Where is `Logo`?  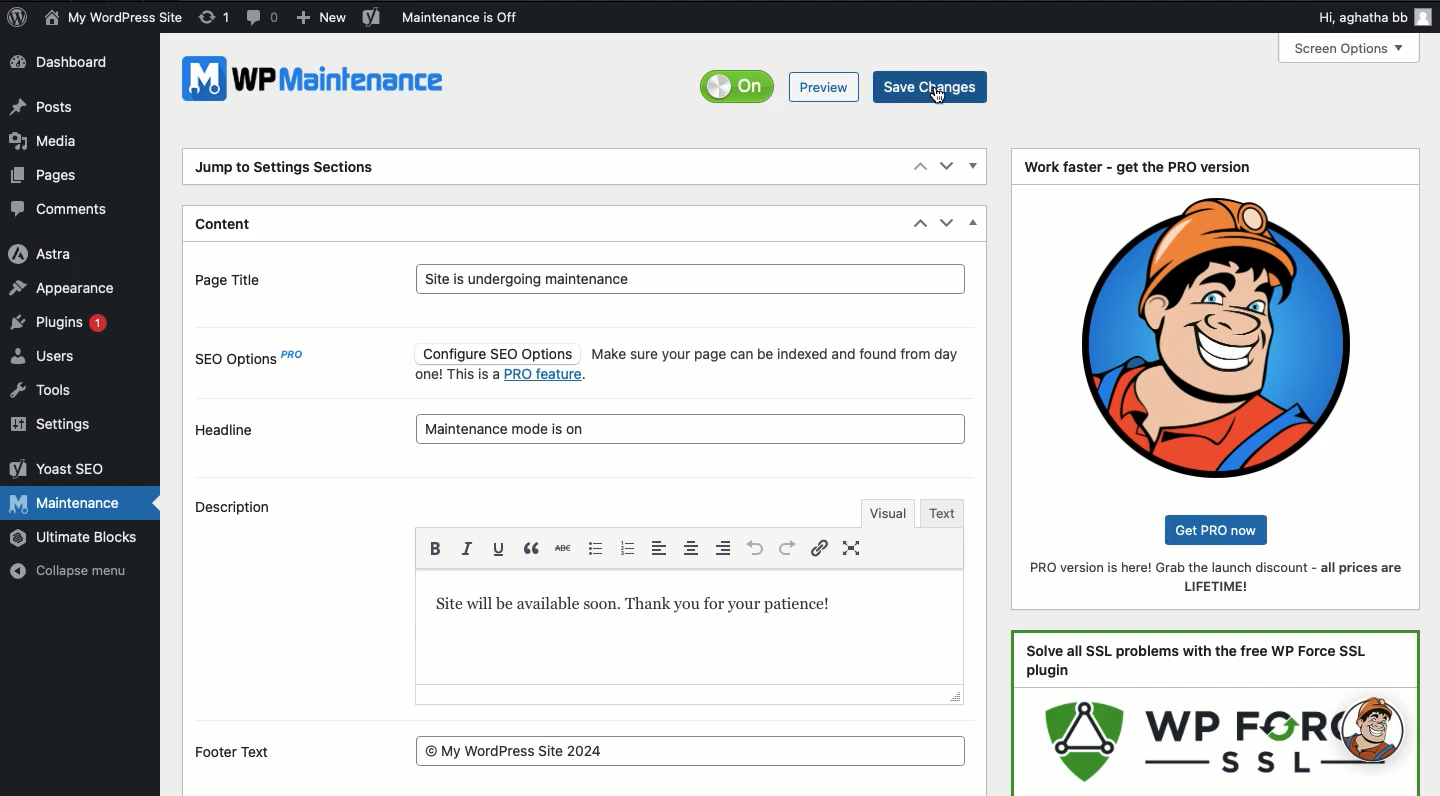 Logo is located at coordinates (1217, 336).